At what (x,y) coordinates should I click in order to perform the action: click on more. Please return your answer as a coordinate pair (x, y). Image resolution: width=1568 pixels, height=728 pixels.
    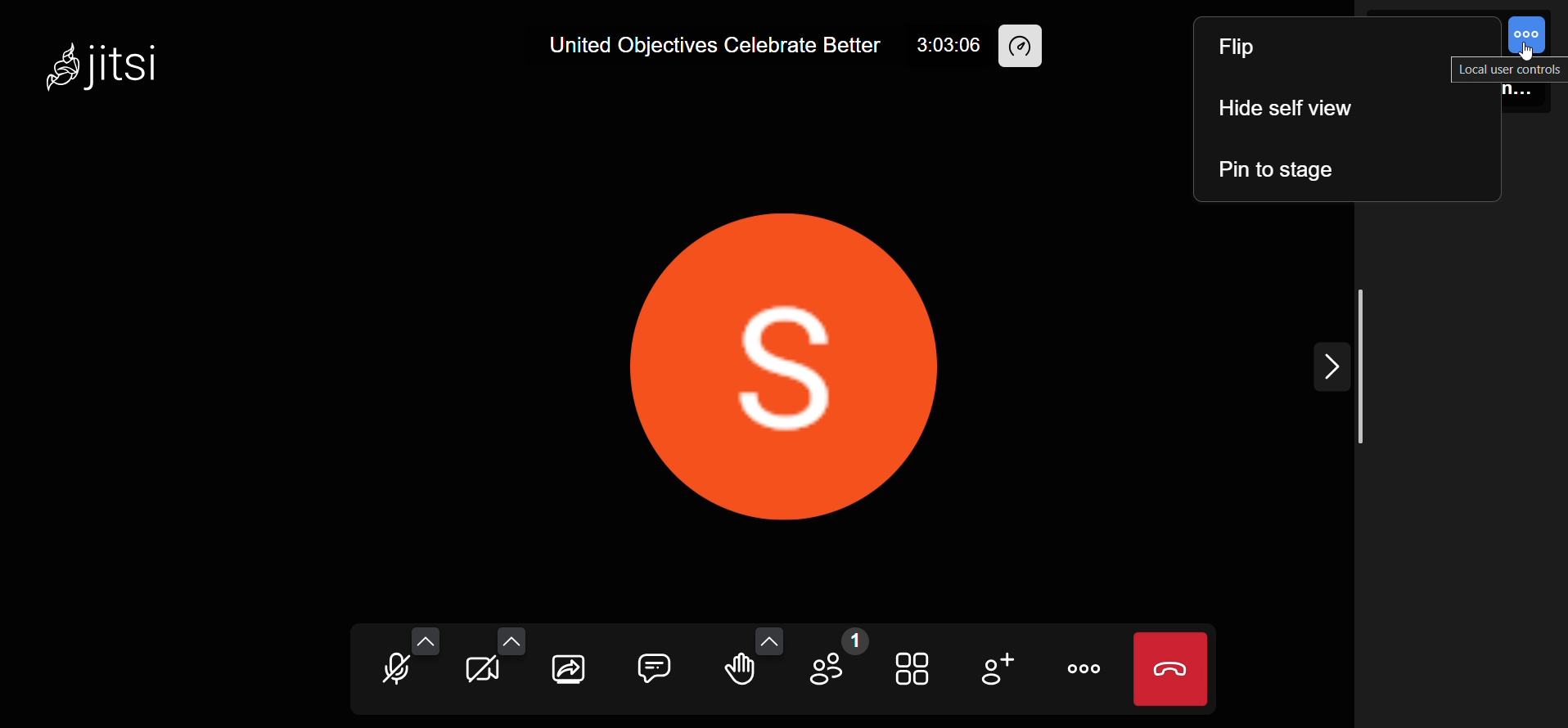
    Looking at the image, I should click on (1088, 667).